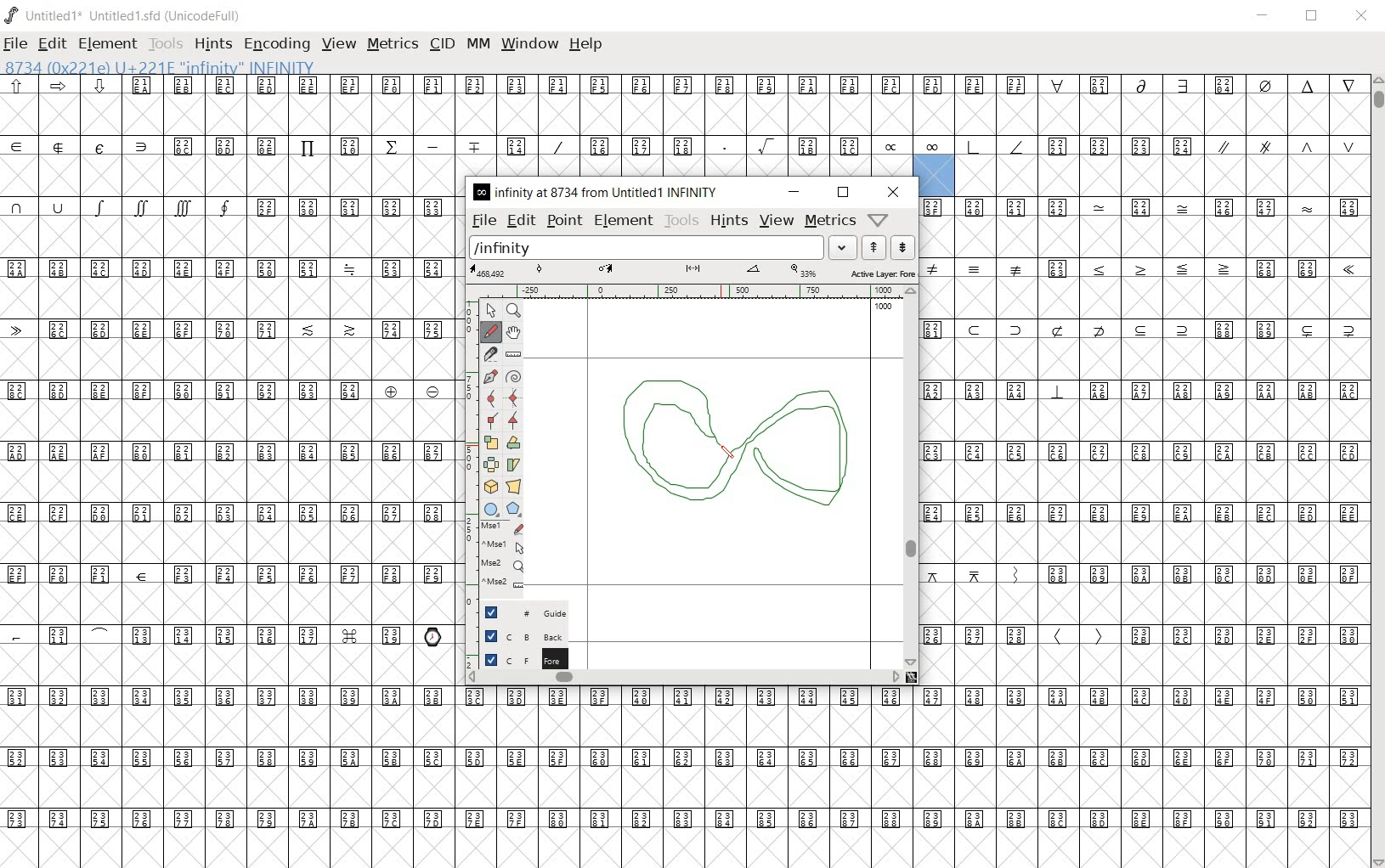  Describe the element at coordinates (998, 206) in the screenshot. I see `Unicode code points` at that location.